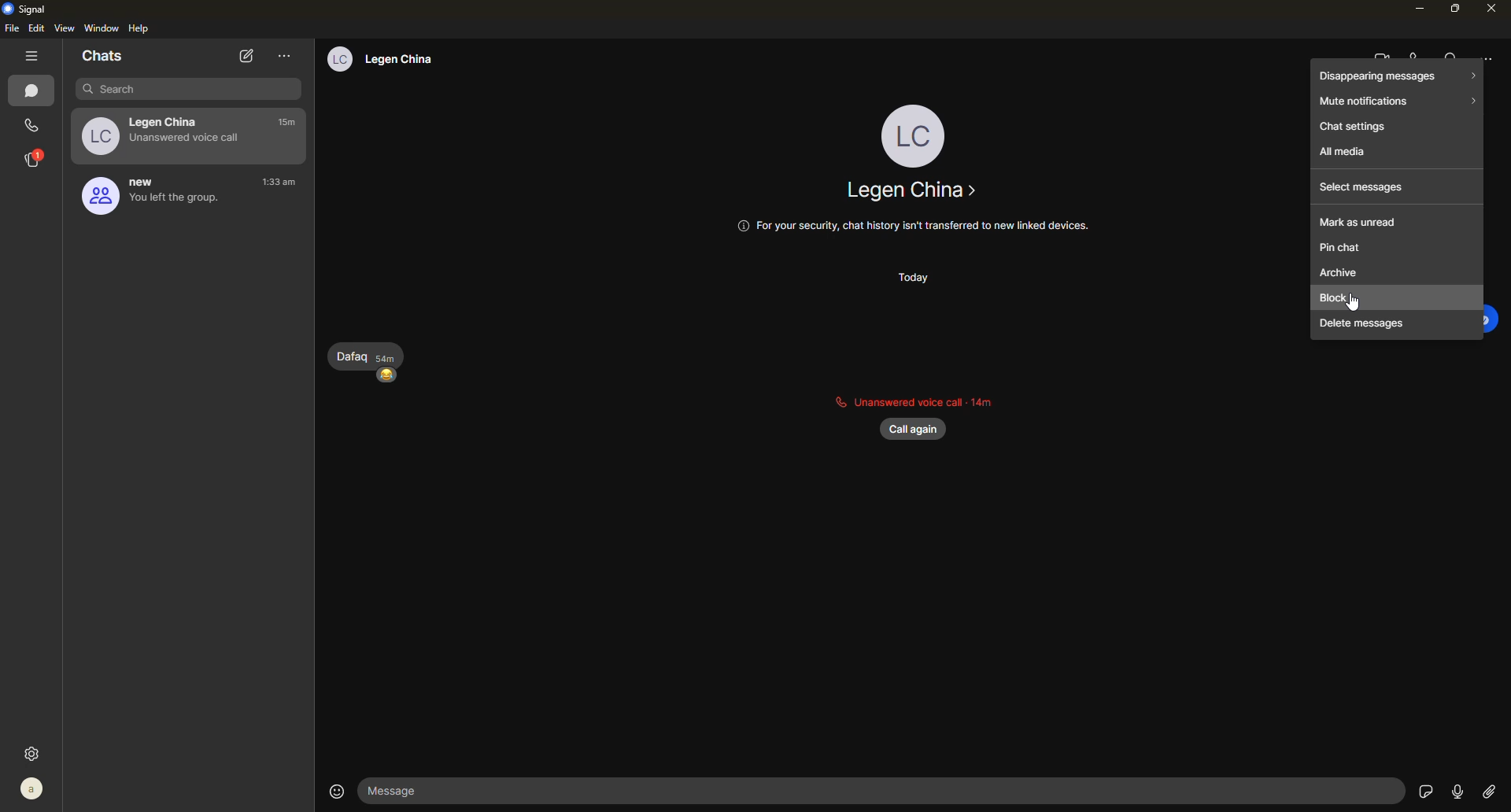 The width and height of the screenshot is (1511, 812). Describe the element at coordinates (1457, 791) in the screenshot. I see `record` at that location.